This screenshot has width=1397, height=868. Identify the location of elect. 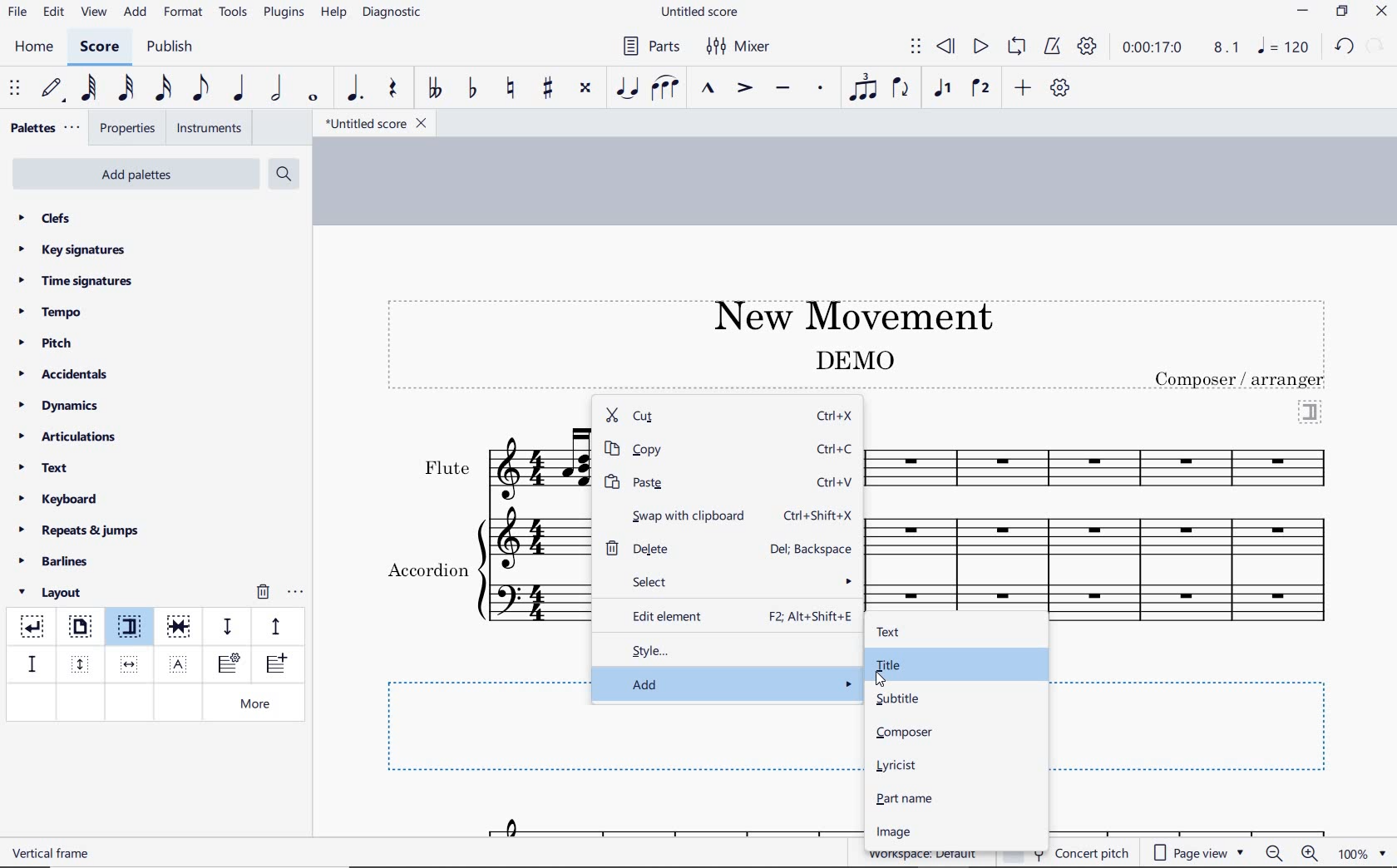
(732, 580).